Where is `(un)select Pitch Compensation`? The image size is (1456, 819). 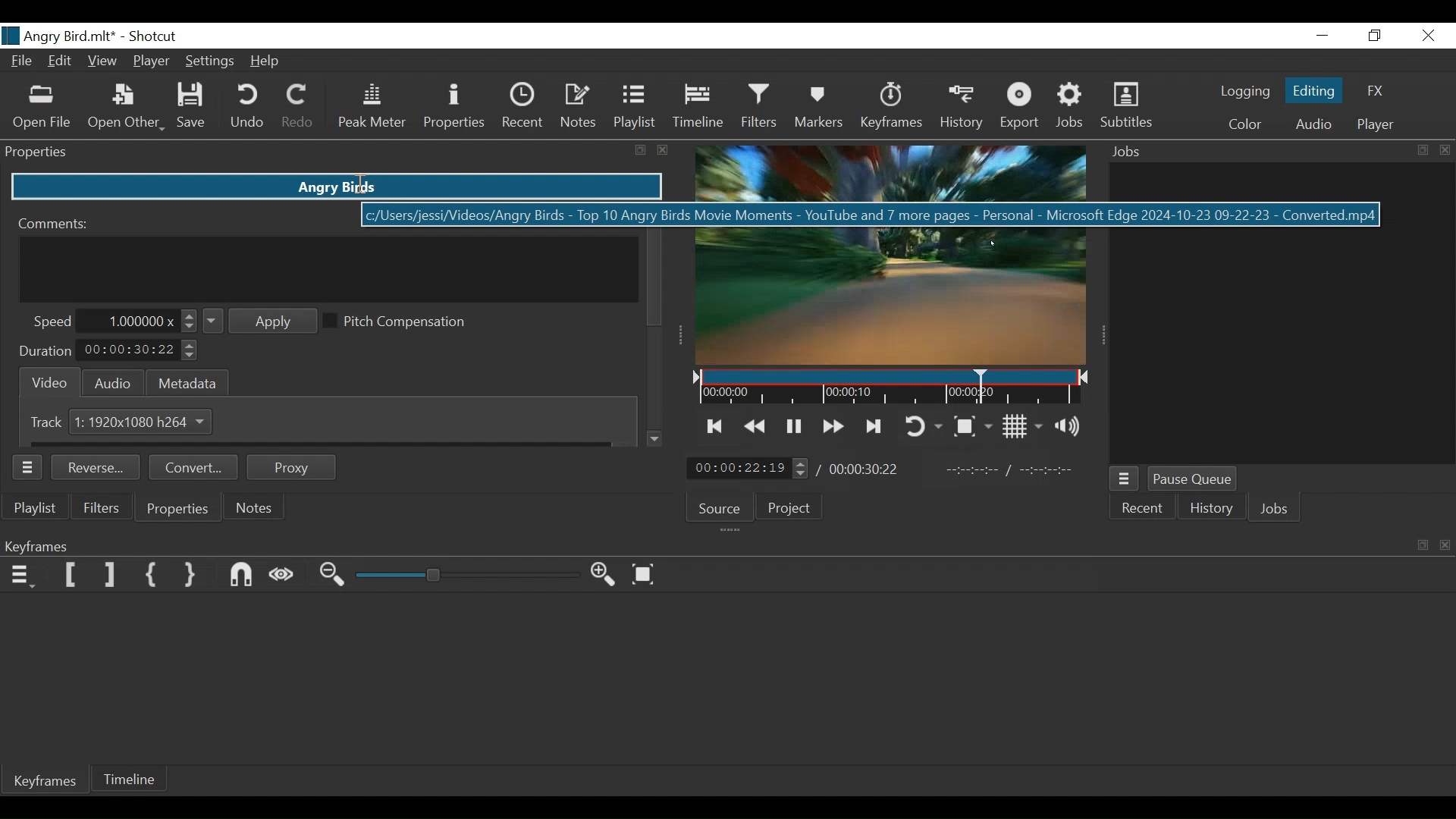 (un)select Pitch Compensation is located at coordinates (401, 322).